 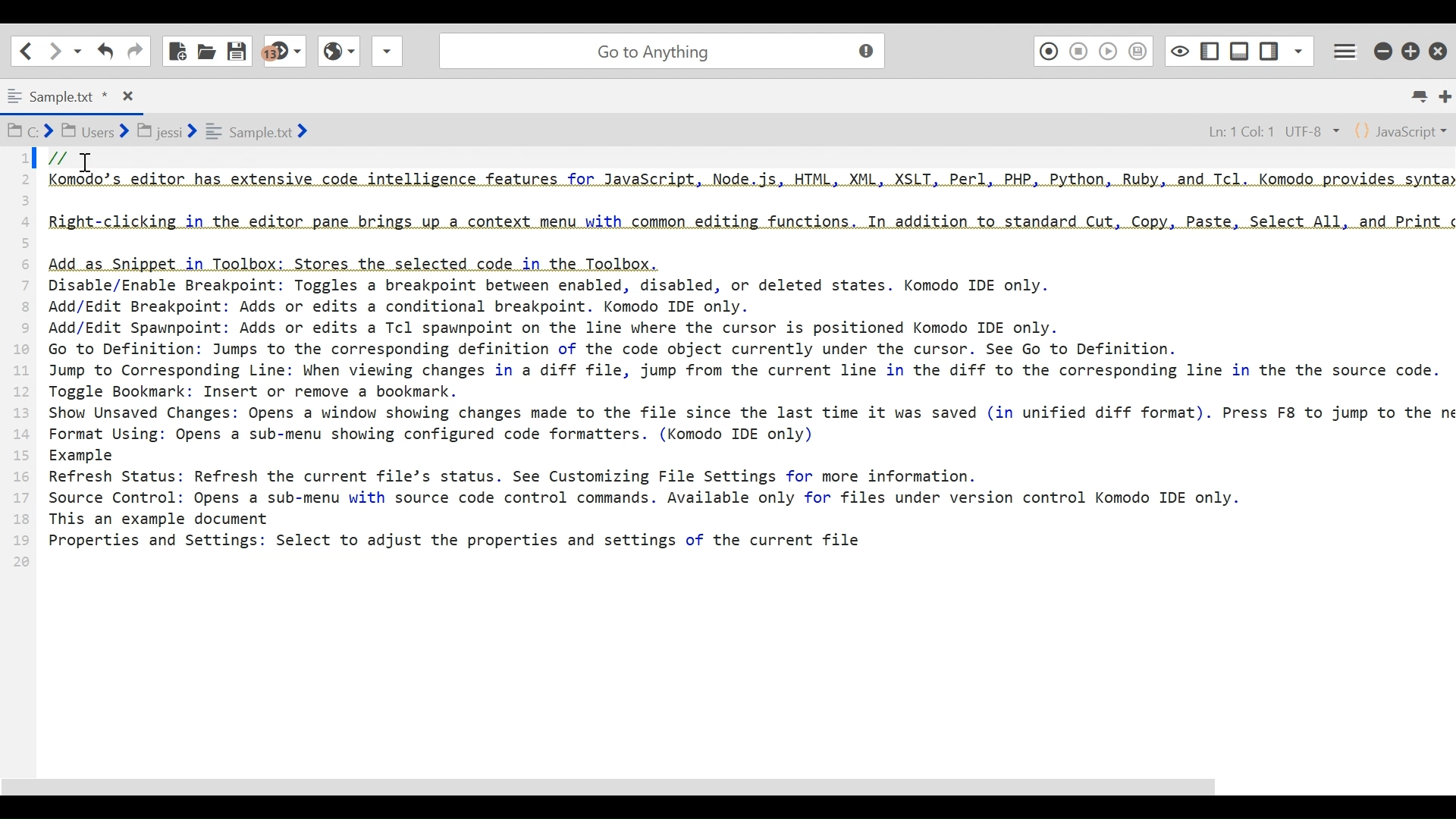 I want to click on minimize, so click(x=1382, y=49).